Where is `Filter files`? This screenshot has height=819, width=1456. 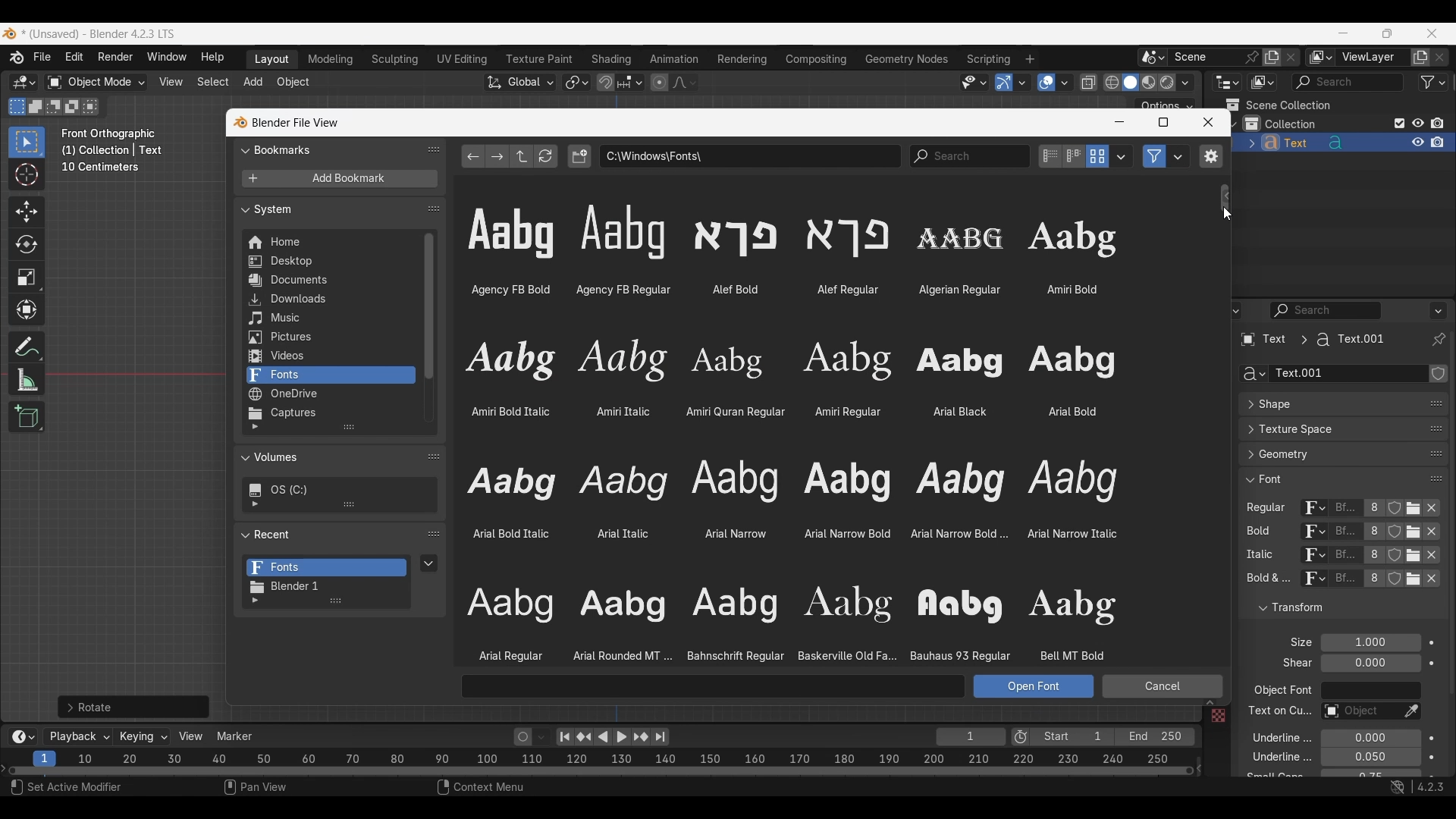 Filter files is located at coordinates (1154, 156).